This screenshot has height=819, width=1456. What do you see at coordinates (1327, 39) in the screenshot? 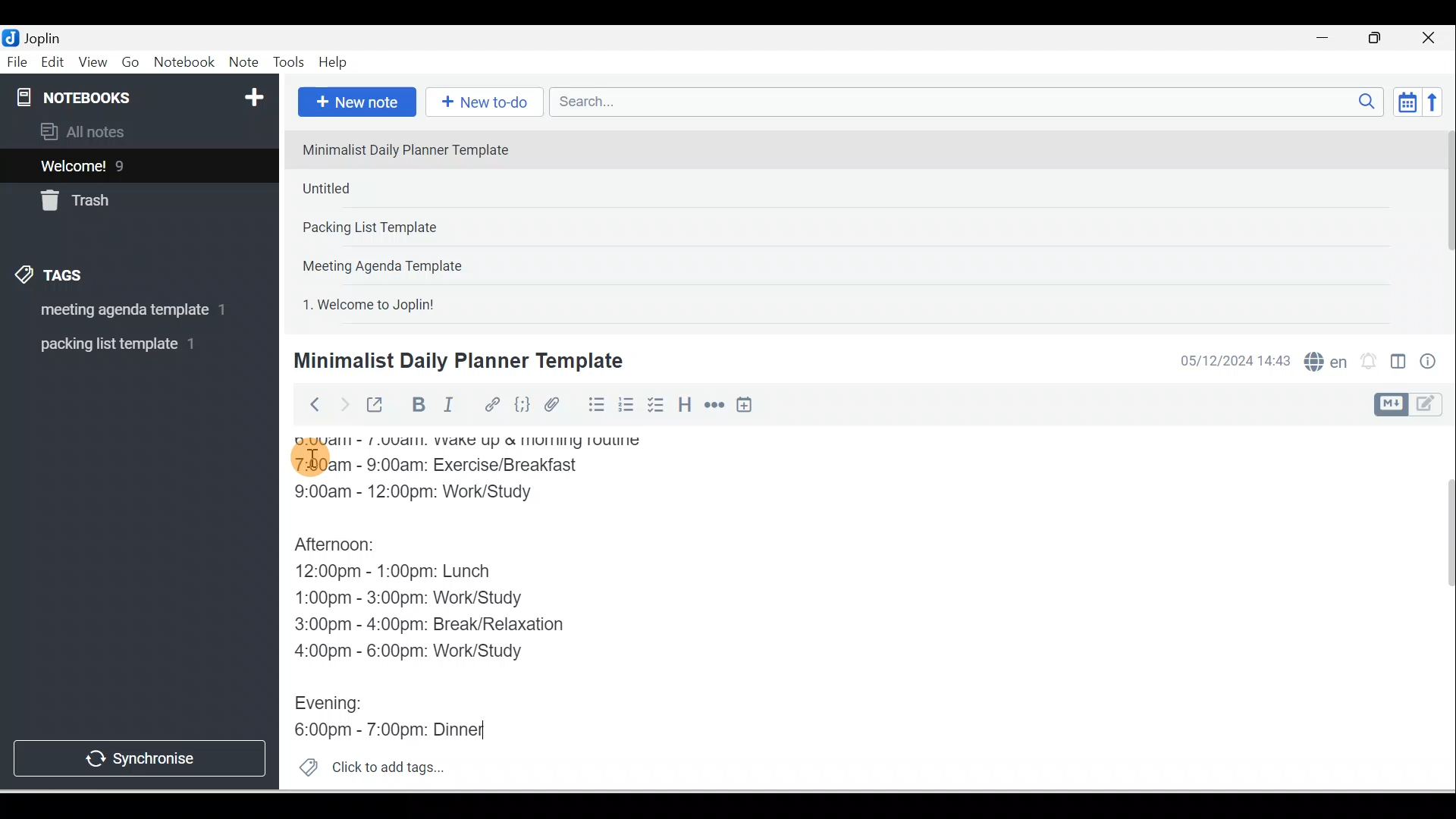
I see `Minimise` at bounding box center [1327, 39].